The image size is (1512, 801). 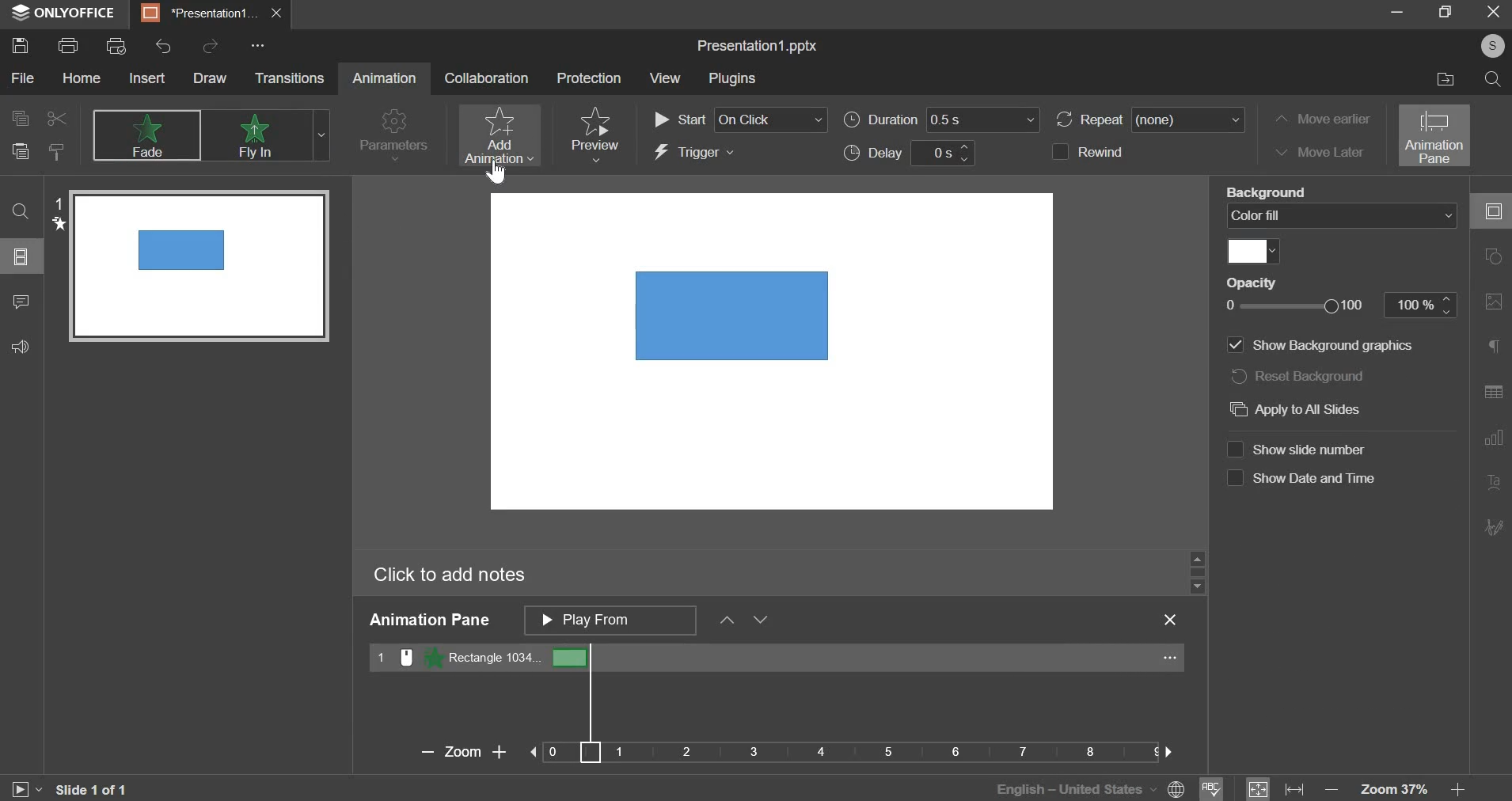 What do you see at coordinates (727, 621) in the screenshot?
I see `up` at bounding box center [727, 621].